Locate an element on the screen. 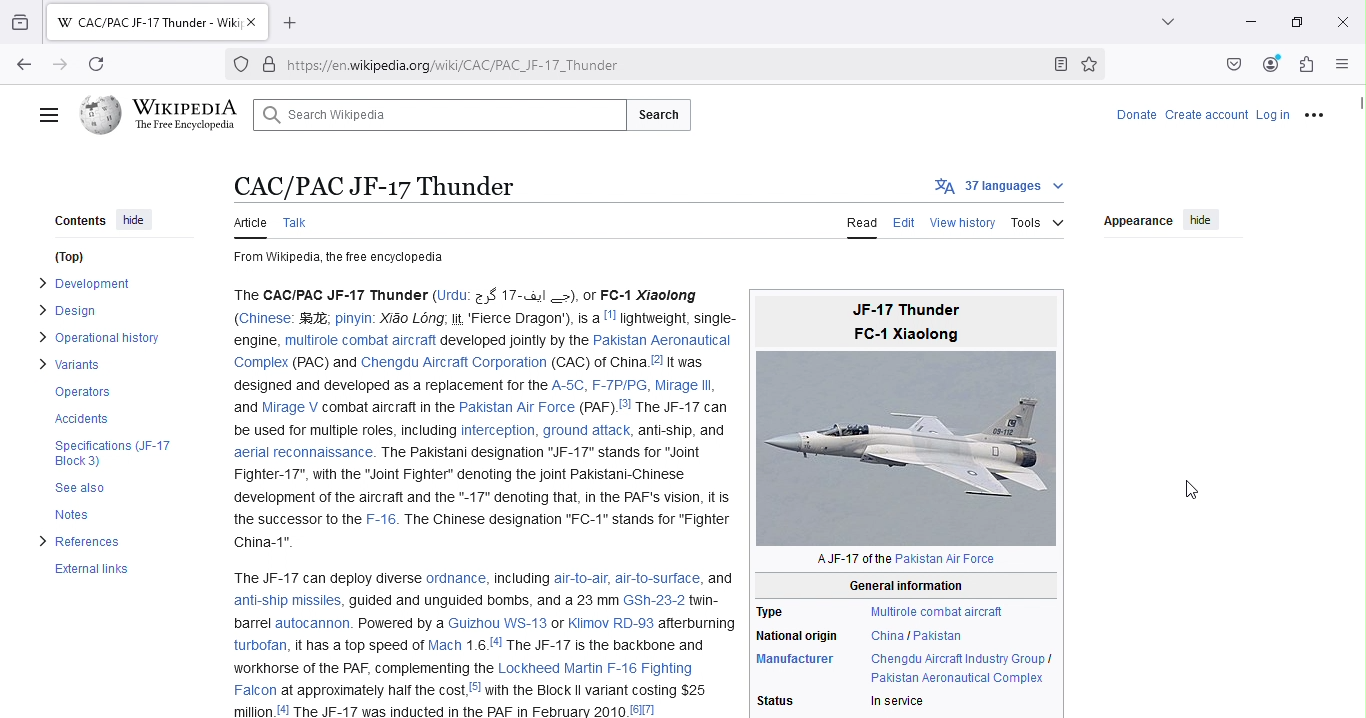  Manufacturer is located at coordinates (795, 662).